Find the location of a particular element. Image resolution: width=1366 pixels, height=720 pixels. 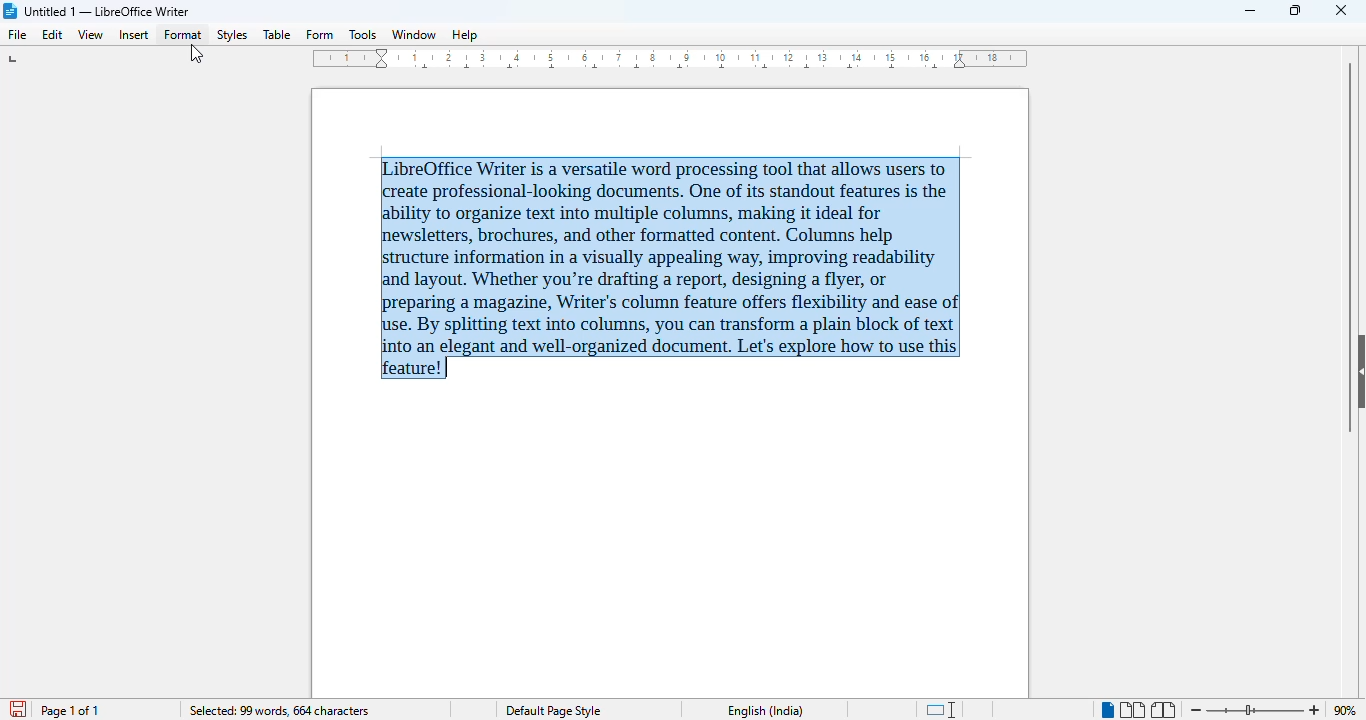

Change zoom level is located at coordinates (1256, 710).